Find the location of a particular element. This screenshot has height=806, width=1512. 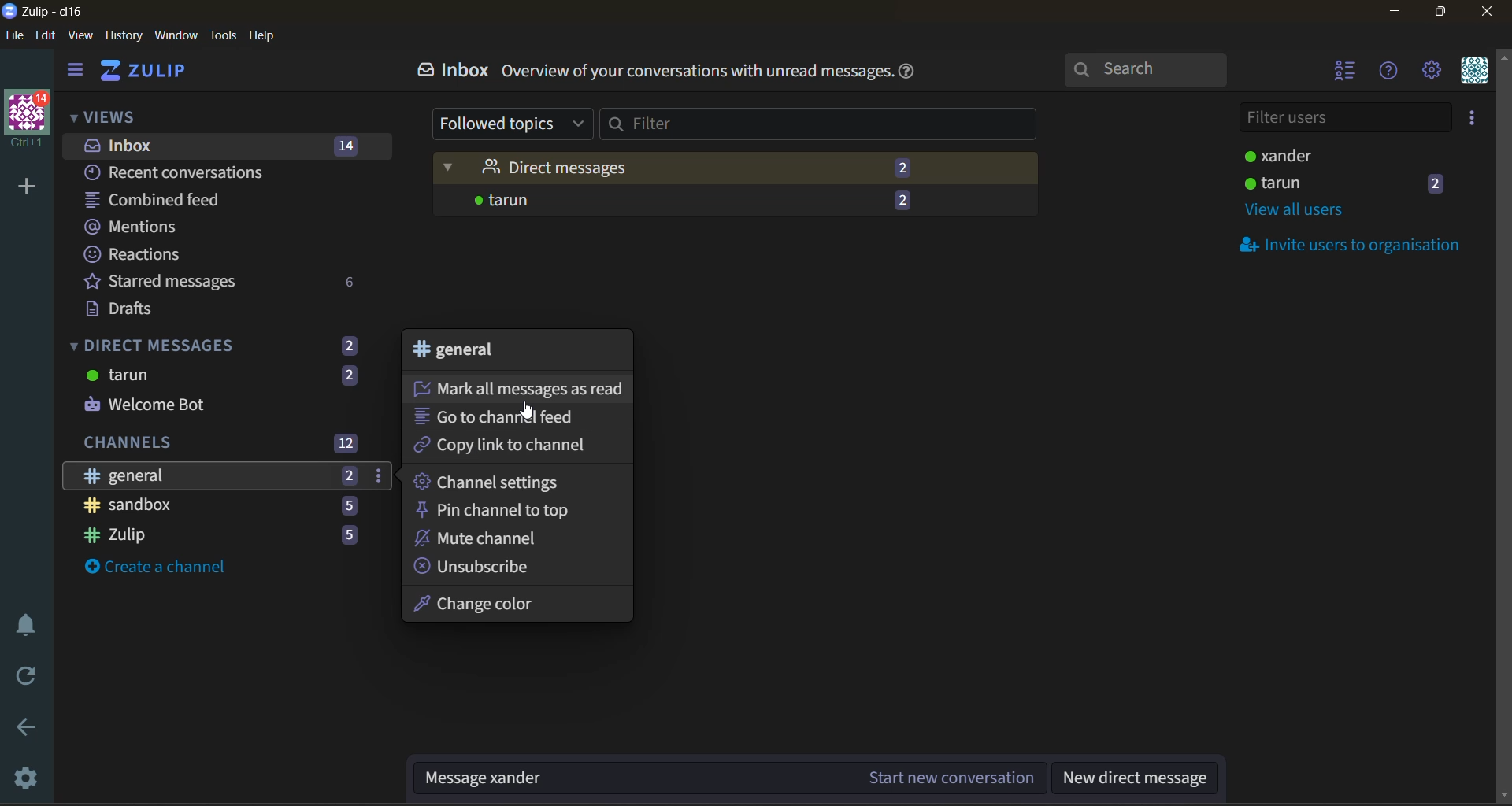

copy link to channel is located at coordinates (503, 448).